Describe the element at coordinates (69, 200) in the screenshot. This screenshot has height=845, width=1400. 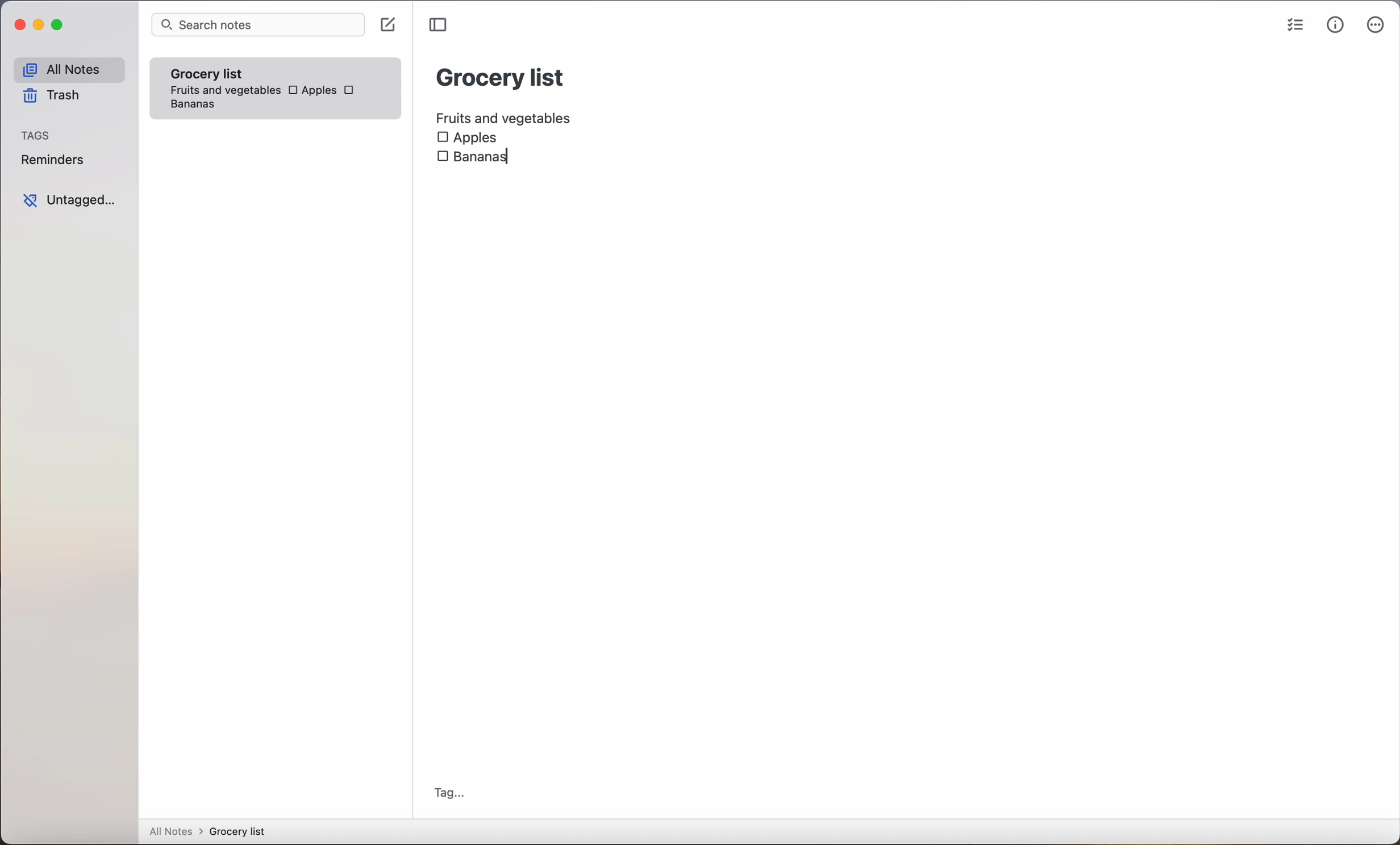
I see `untagged` at that location.